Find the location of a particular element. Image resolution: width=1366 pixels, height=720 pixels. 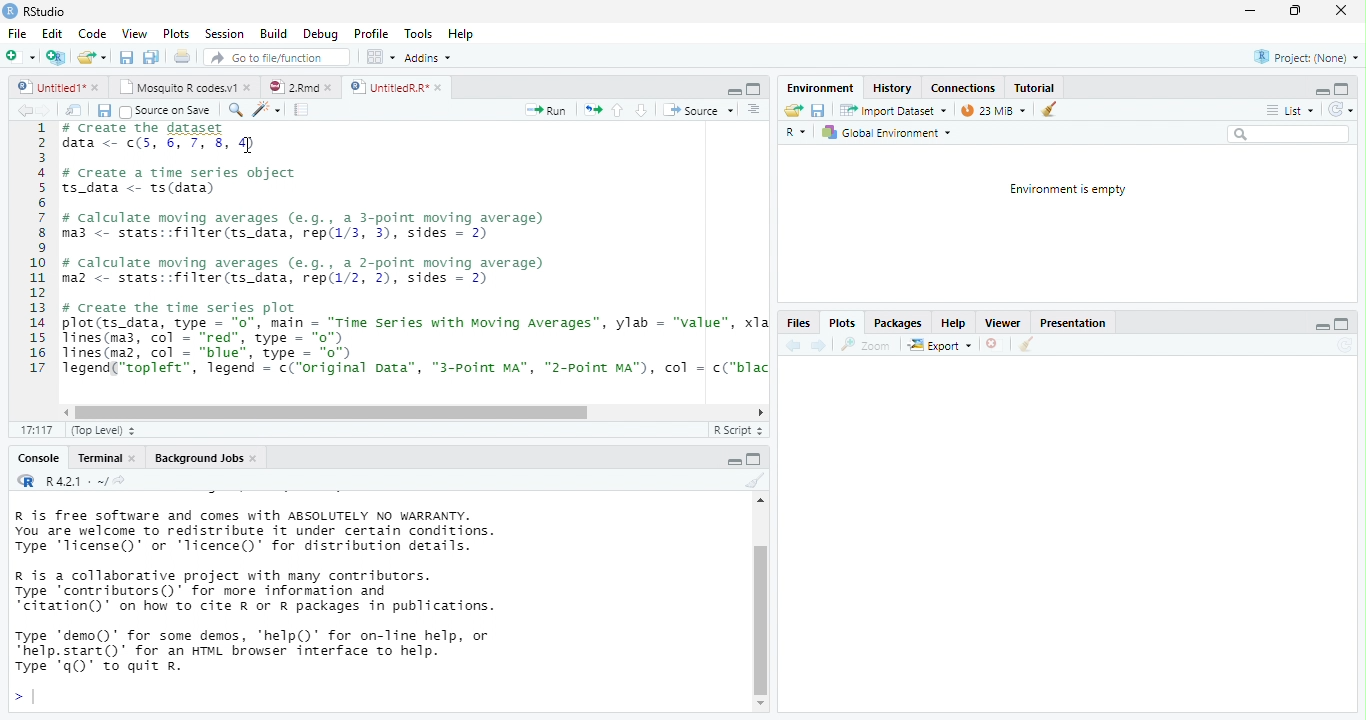

Files is located at coordinates (797, 324).